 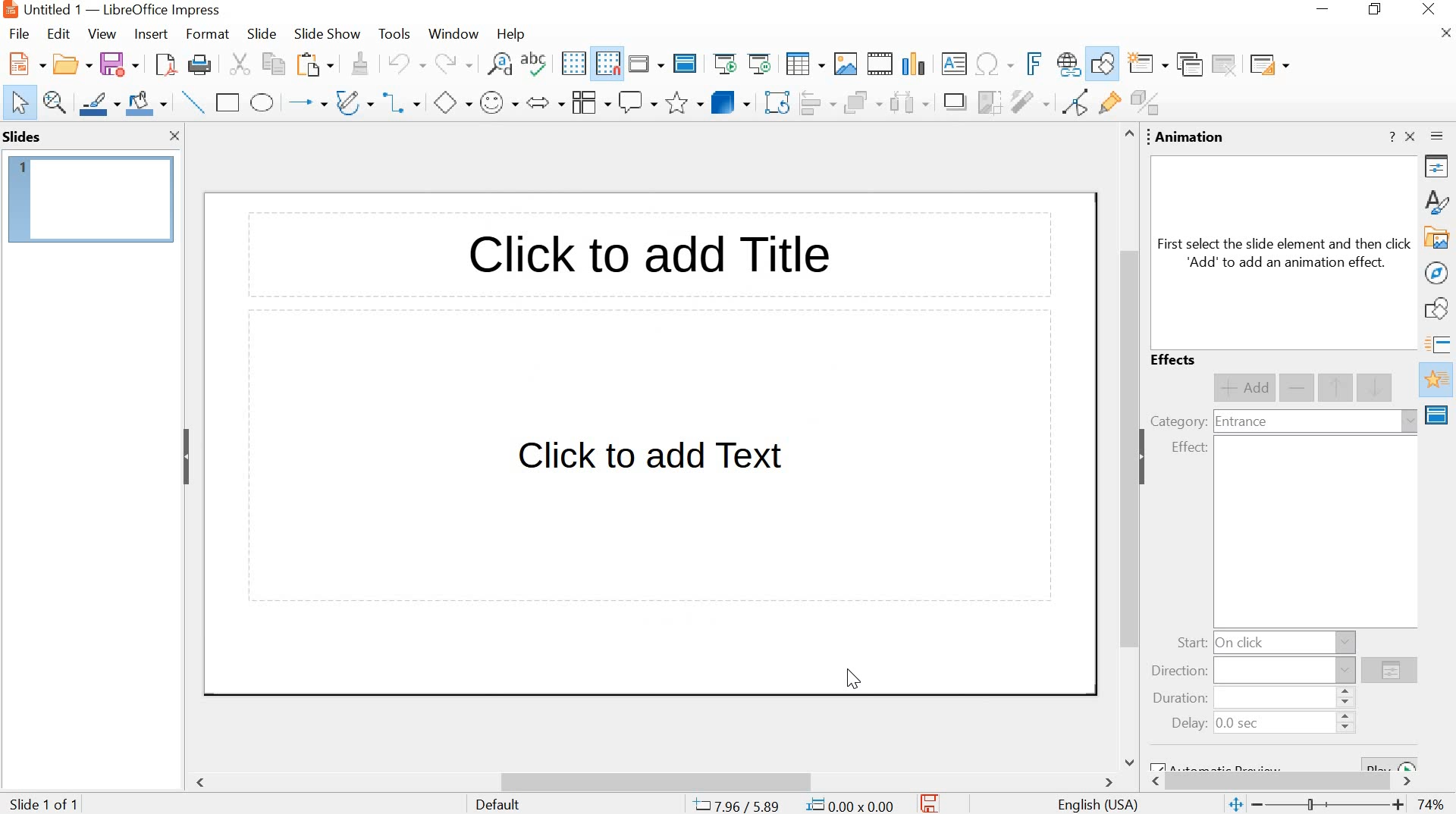 What do you see at coordinates (175, 137) in the screenshot?
I see `close` at bounding box center [175, 137].